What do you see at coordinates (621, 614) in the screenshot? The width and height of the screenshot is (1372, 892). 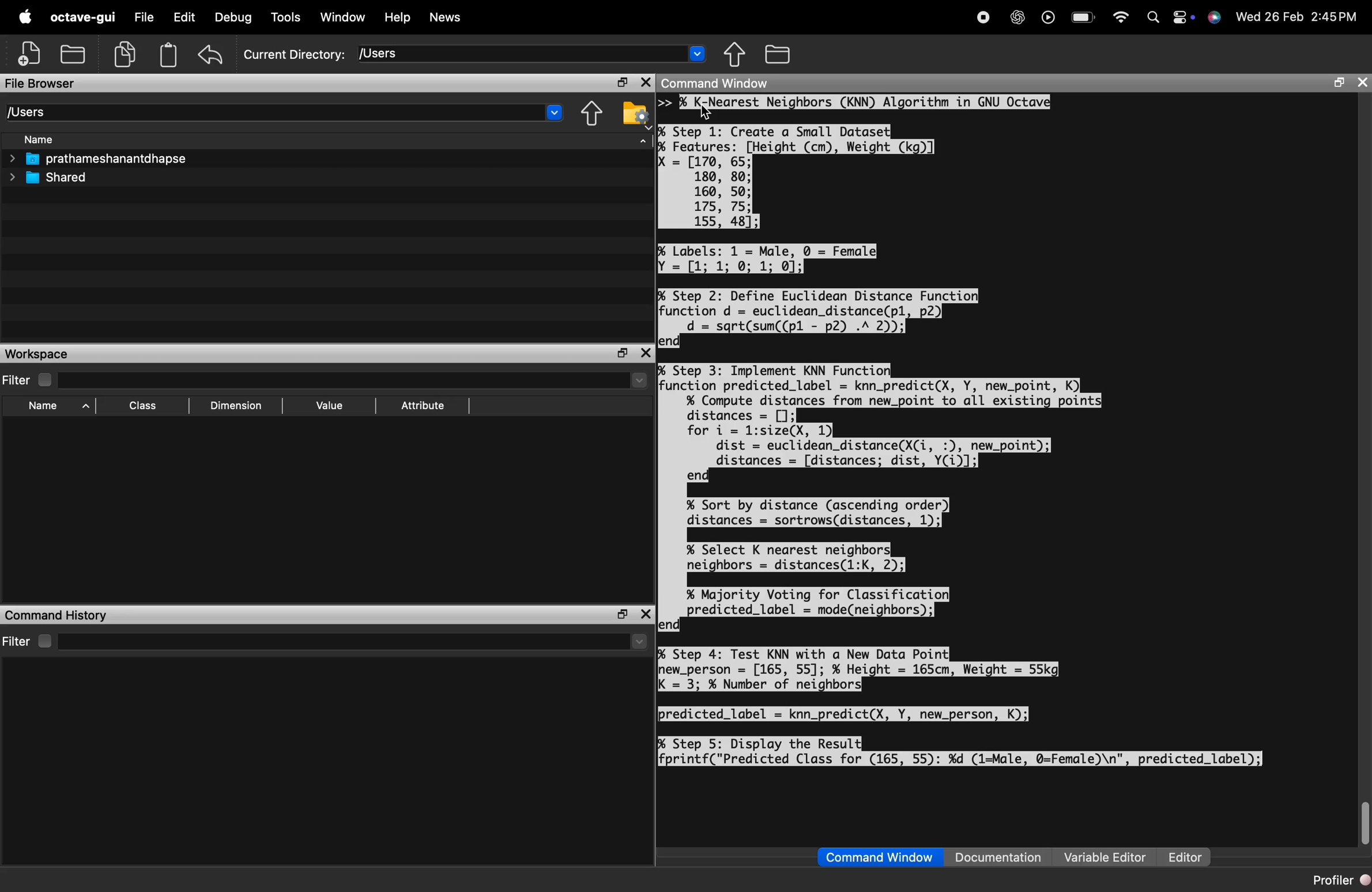 I see `maximise` at bounding box center [621, 614].